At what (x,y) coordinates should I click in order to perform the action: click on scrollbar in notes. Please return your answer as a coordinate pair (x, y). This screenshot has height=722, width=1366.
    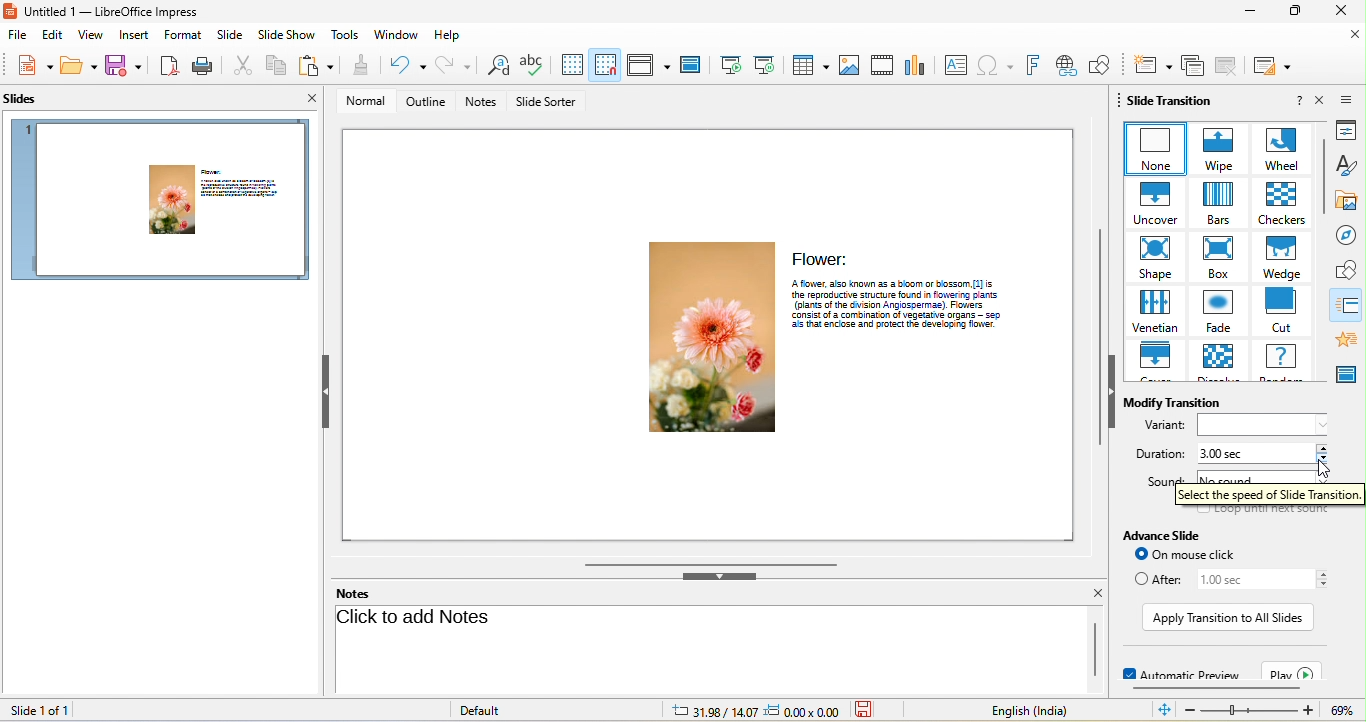
    Looking at the image, I should click on (1095, 648).